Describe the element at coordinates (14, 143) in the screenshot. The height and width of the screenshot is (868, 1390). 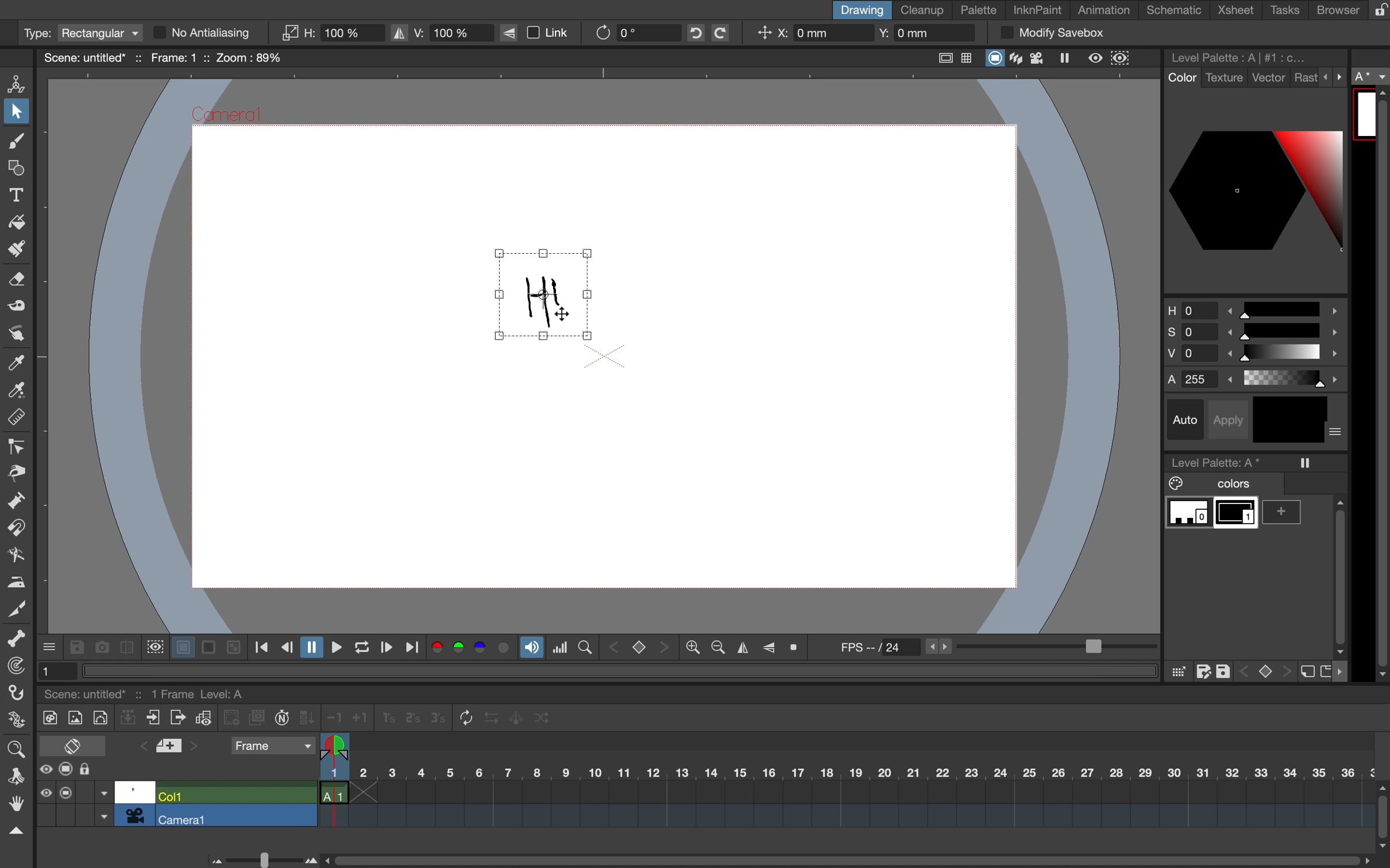
I see `brush tool` at that location.